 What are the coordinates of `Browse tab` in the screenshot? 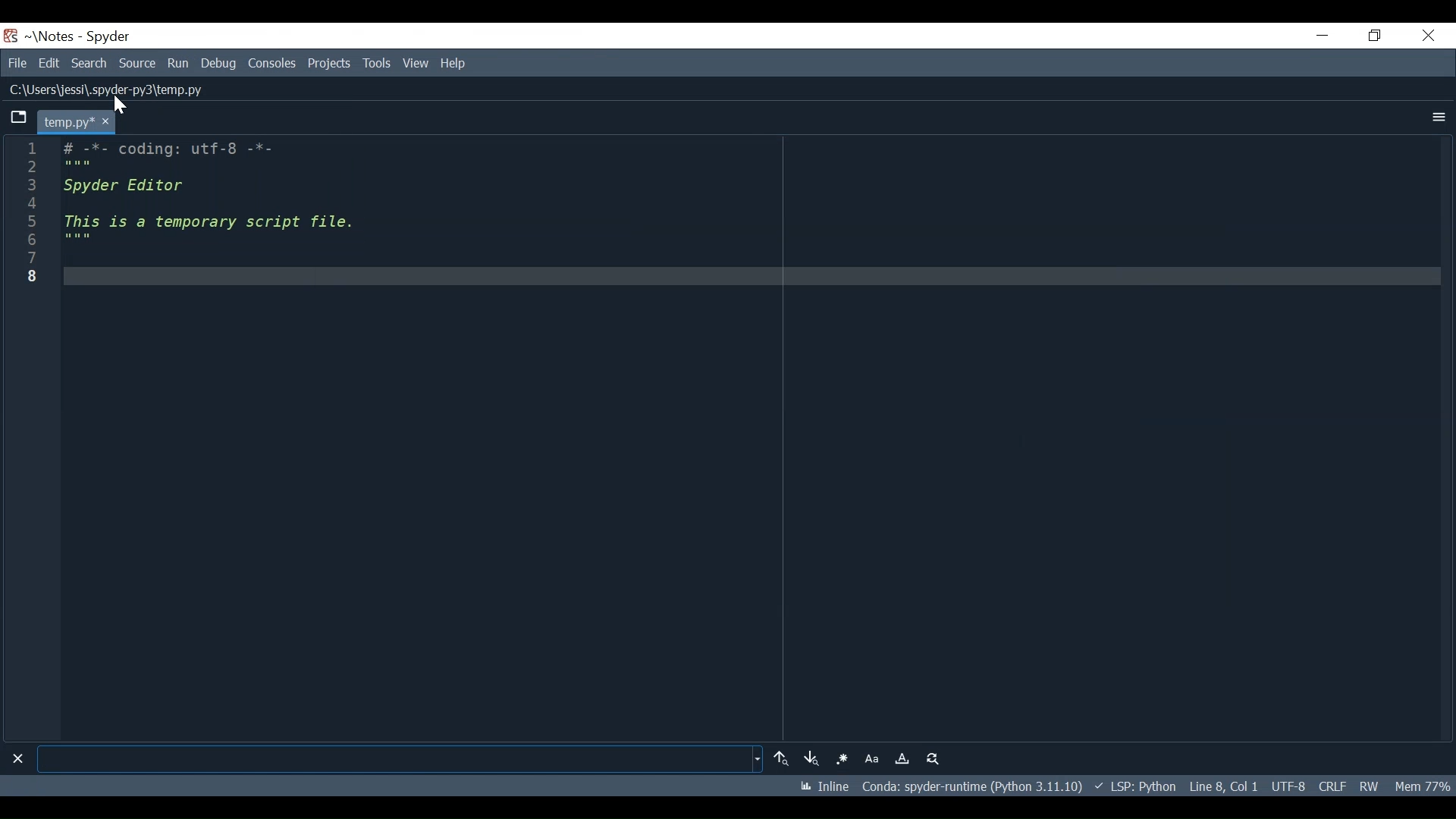 It's located at (15, 118).